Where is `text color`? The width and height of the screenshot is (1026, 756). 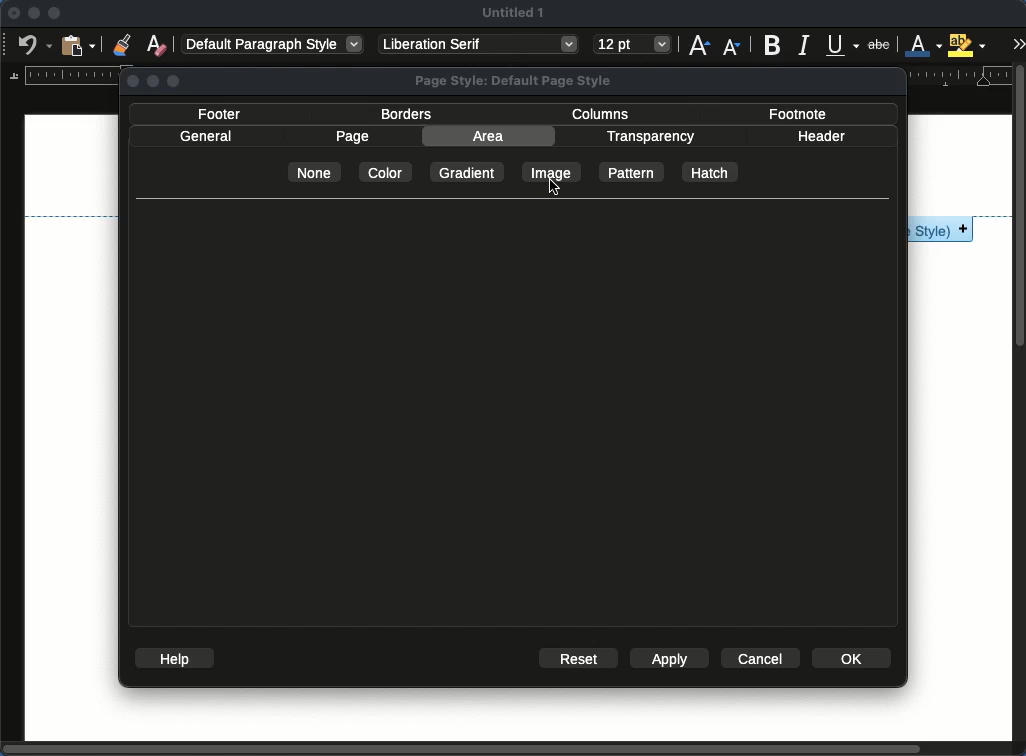
text color is located at coordinates (924, 45).